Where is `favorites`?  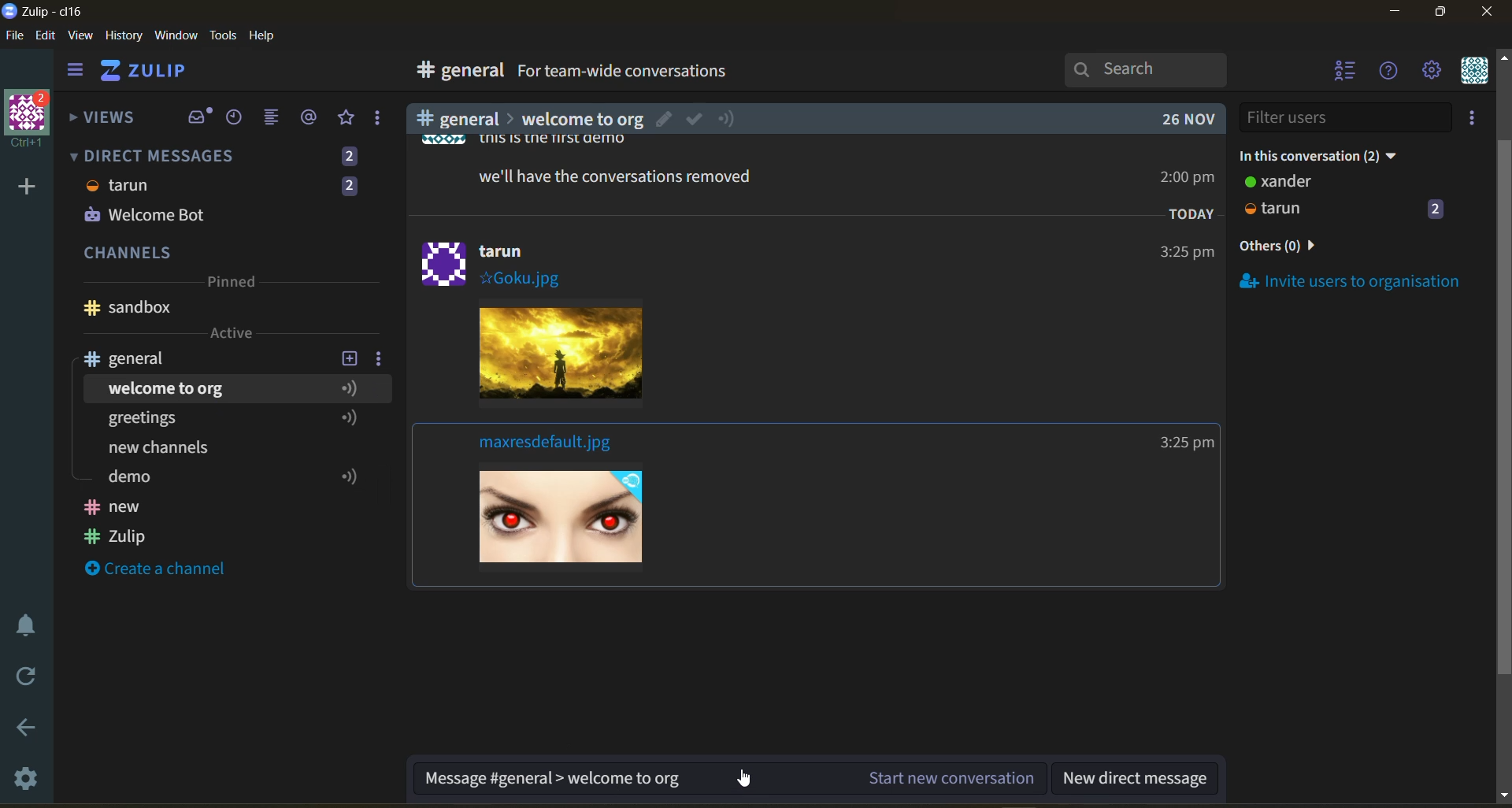 favorites is located at coordinates (347, 118).